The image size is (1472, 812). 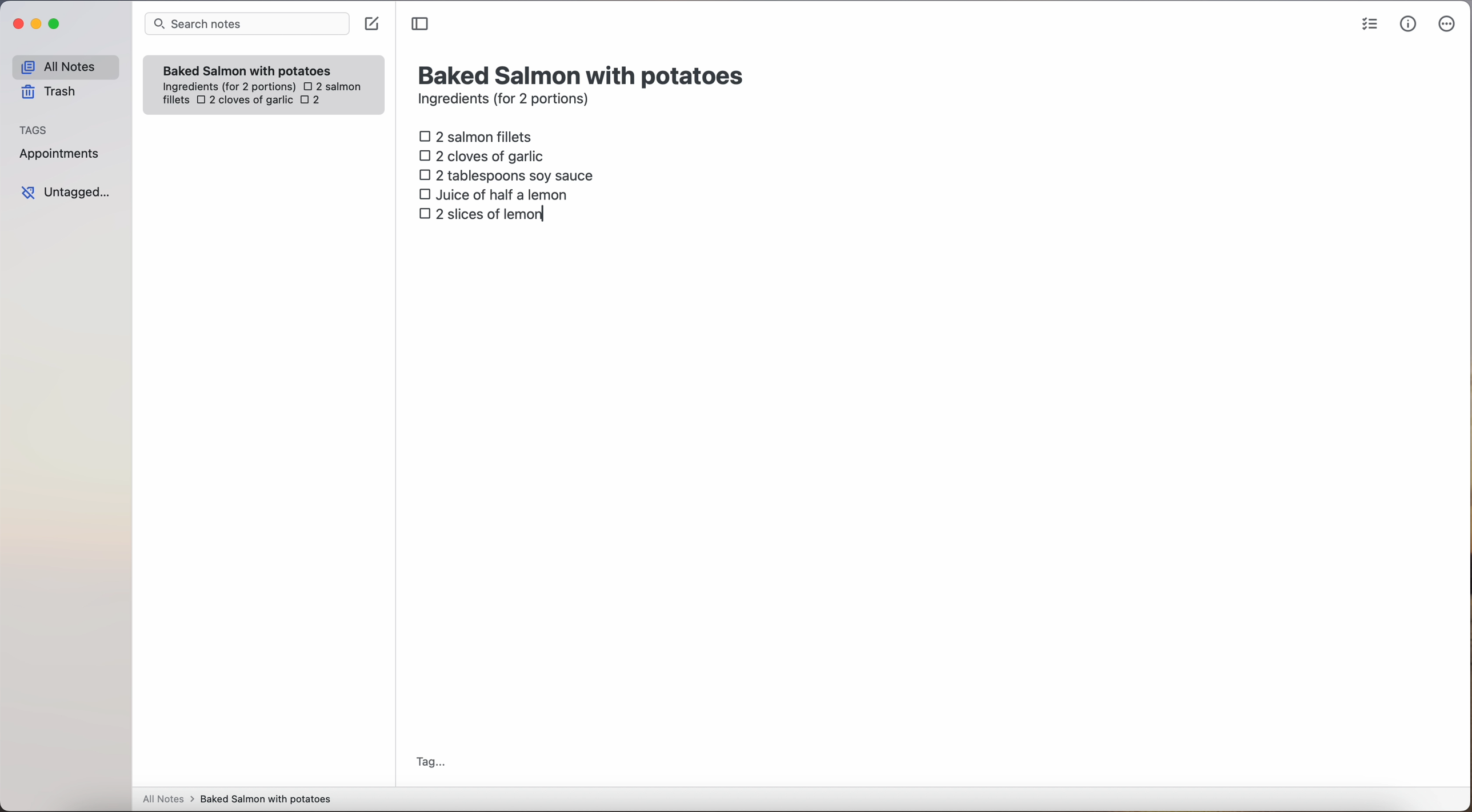 What do you see at coordinates (479, 135) in the screenshot?
I see `2 salmon fillets` at bounding box center [479, 135].